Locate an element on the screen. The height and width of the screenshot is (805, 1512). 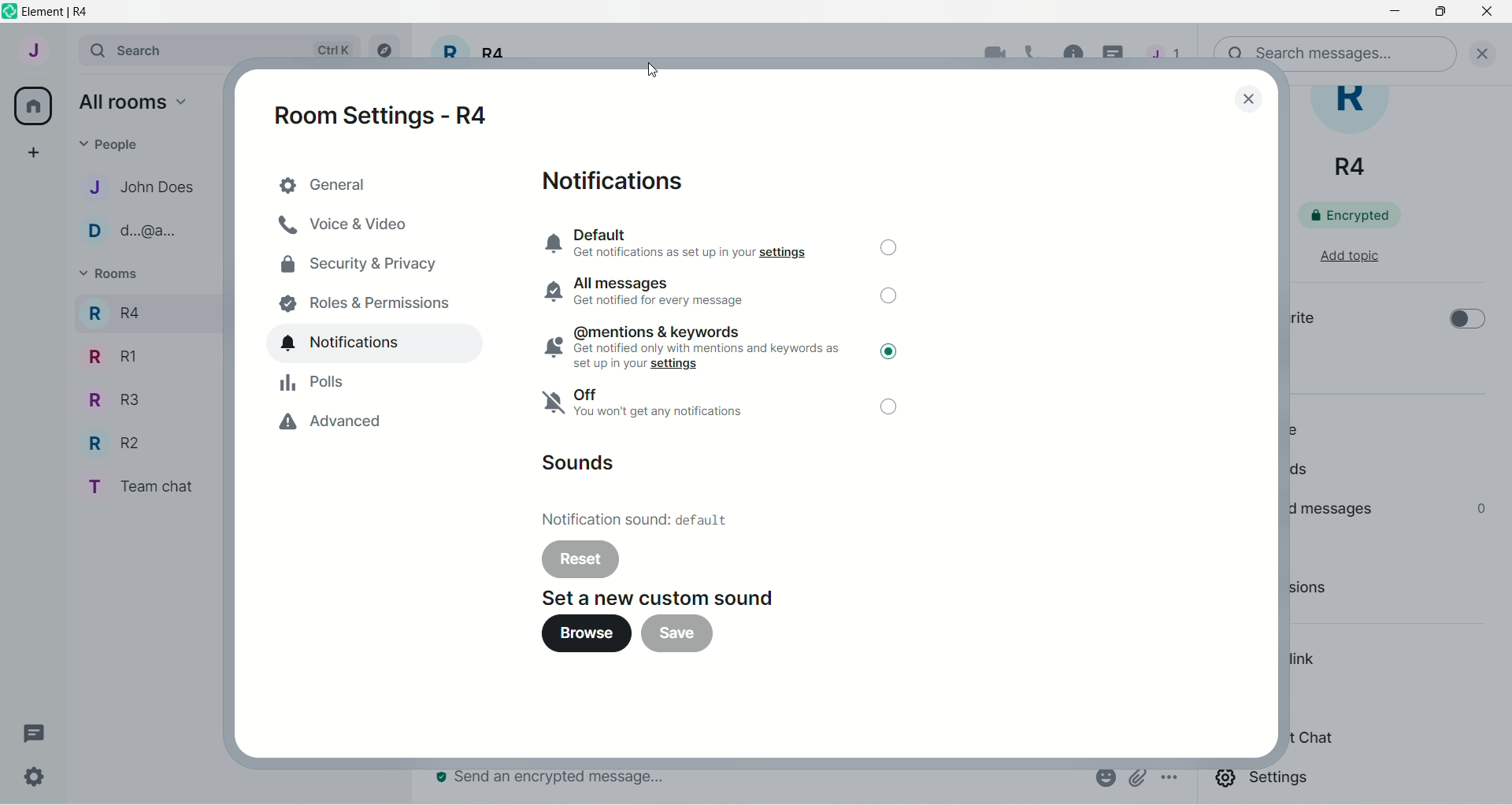
encrypted is located at coordinates (1360, 214).